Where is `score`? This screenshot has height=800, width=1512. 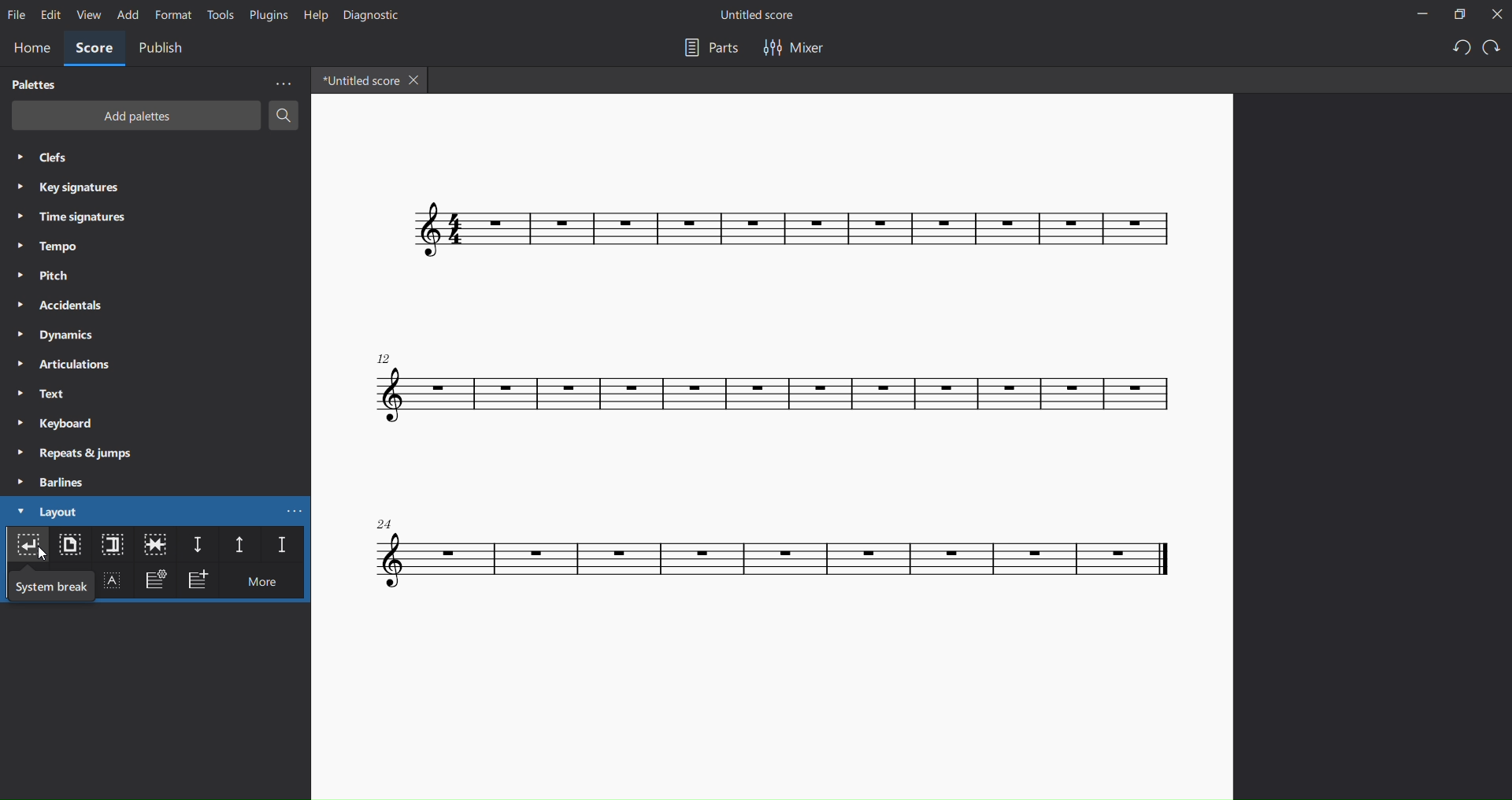 score is located at coordinates (777, 559).